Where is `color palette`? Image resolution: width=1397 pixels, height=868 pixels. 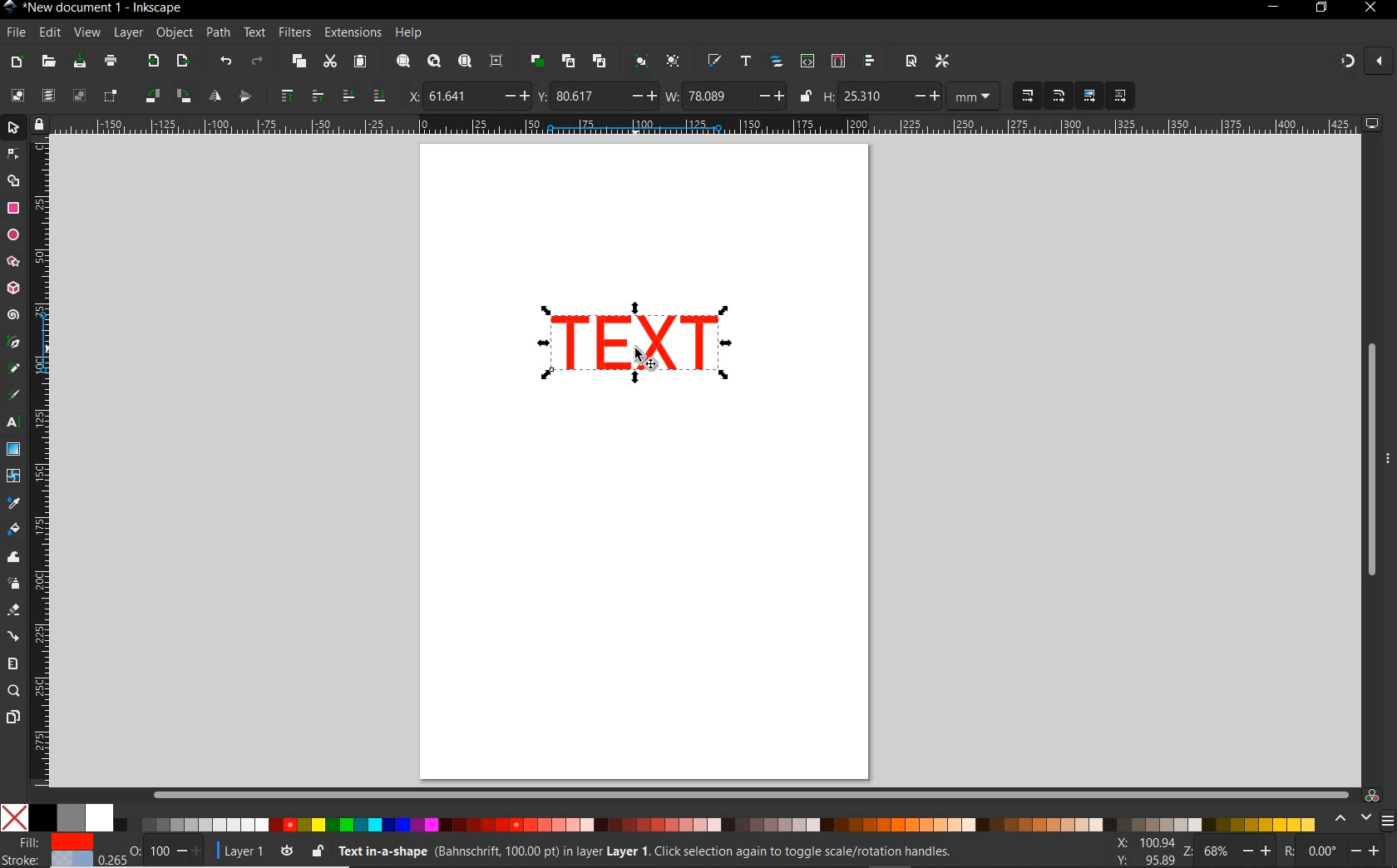
color palette is located at coordinates (659, 819).